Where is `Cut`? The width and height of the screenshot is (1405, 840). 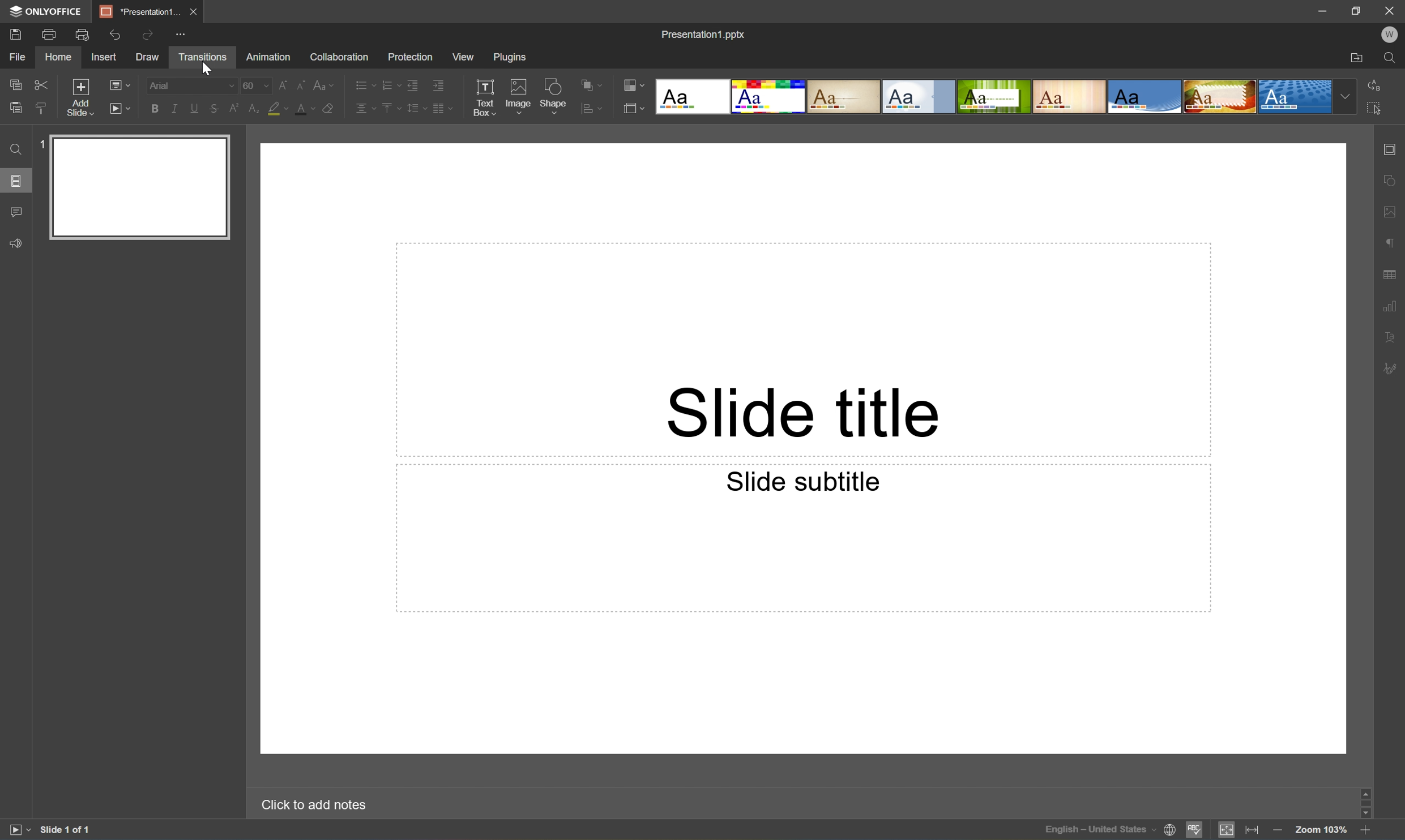
Cut is located at coordinates (41, 83).